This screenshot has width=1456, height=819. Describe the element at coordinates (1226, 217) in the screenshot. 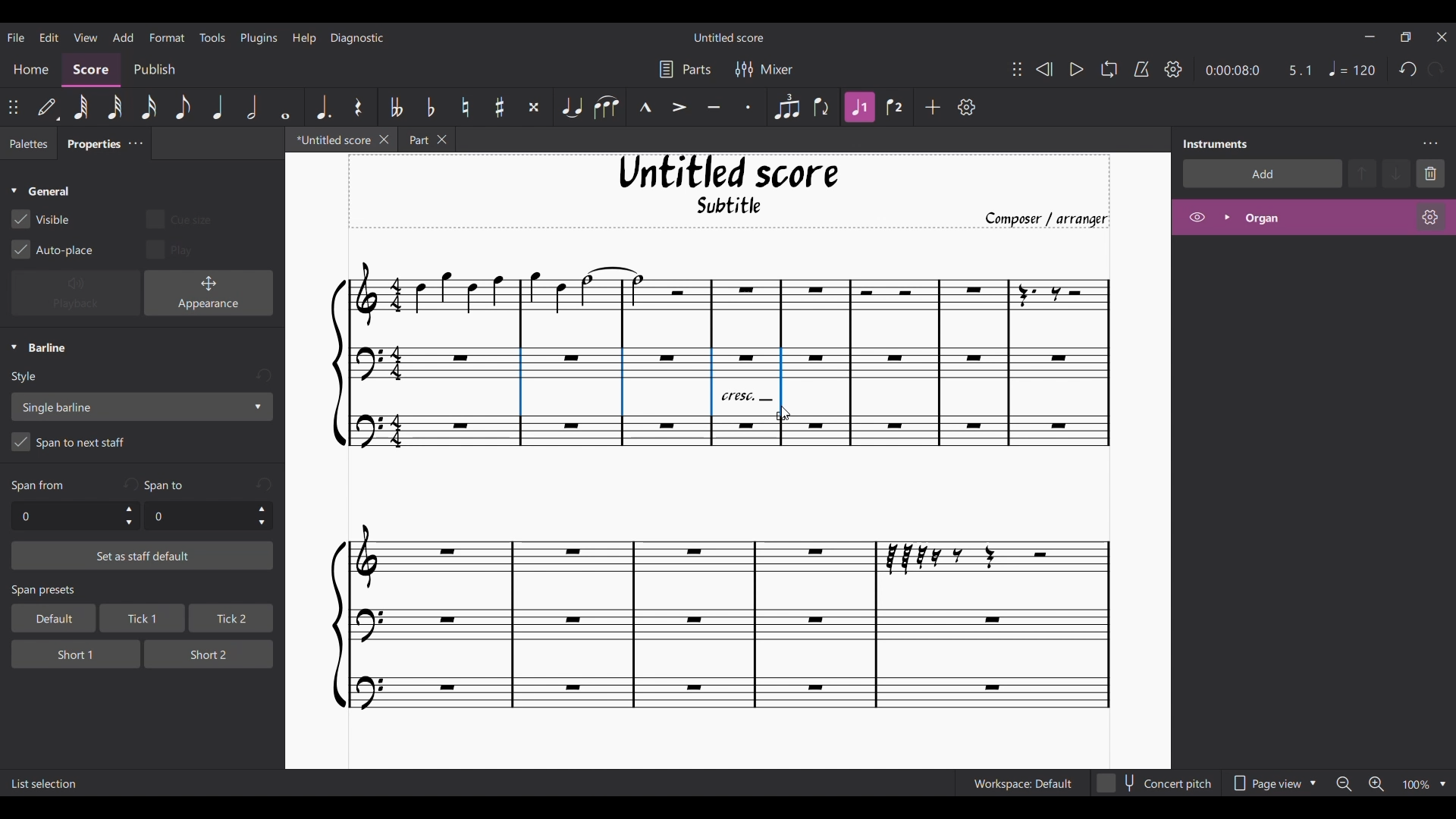

I see `Expand Organ` at that location.